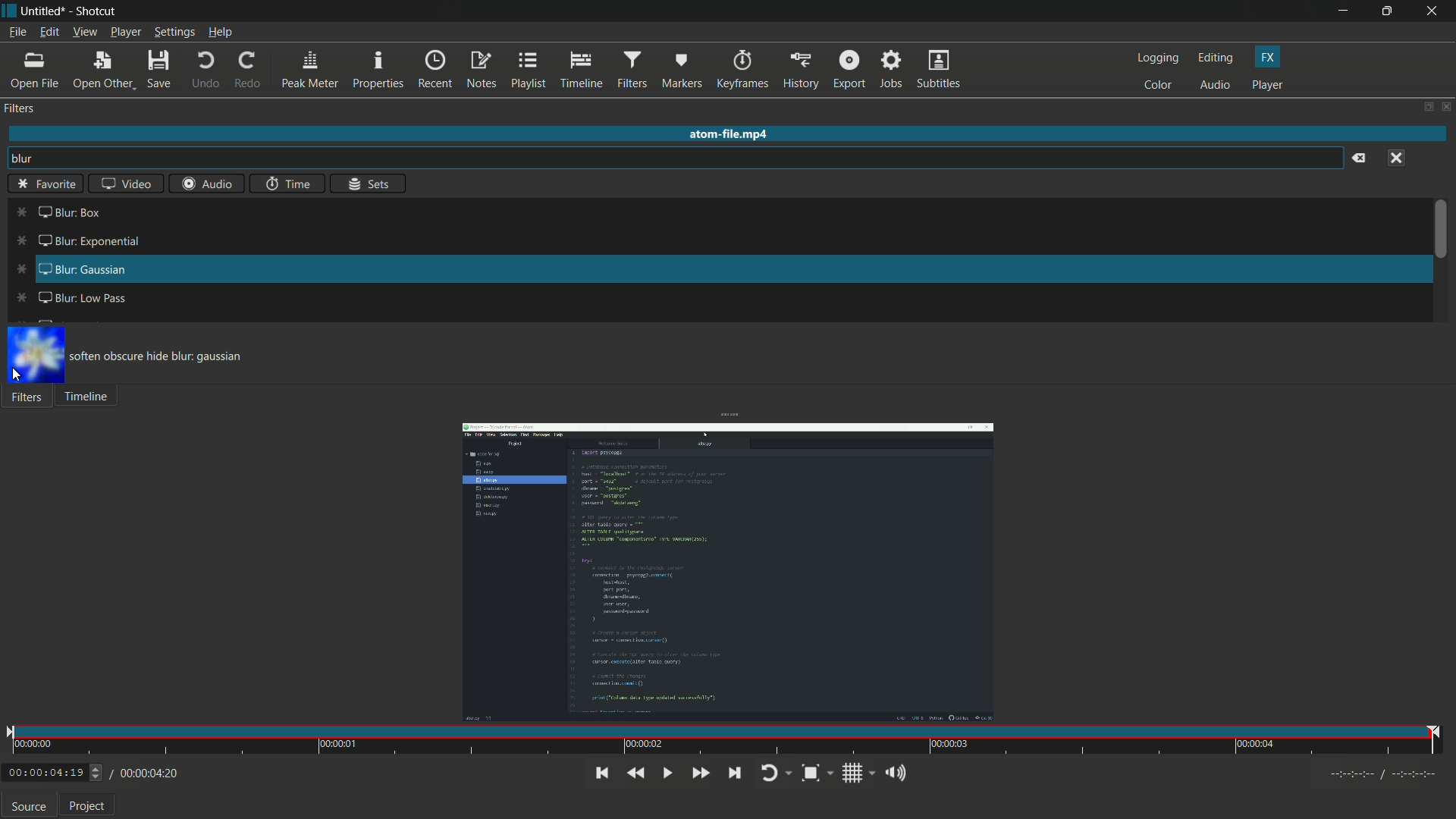 The width and height of the screenshot is (1456, 819). I want to click on undo, so click(203, 71).